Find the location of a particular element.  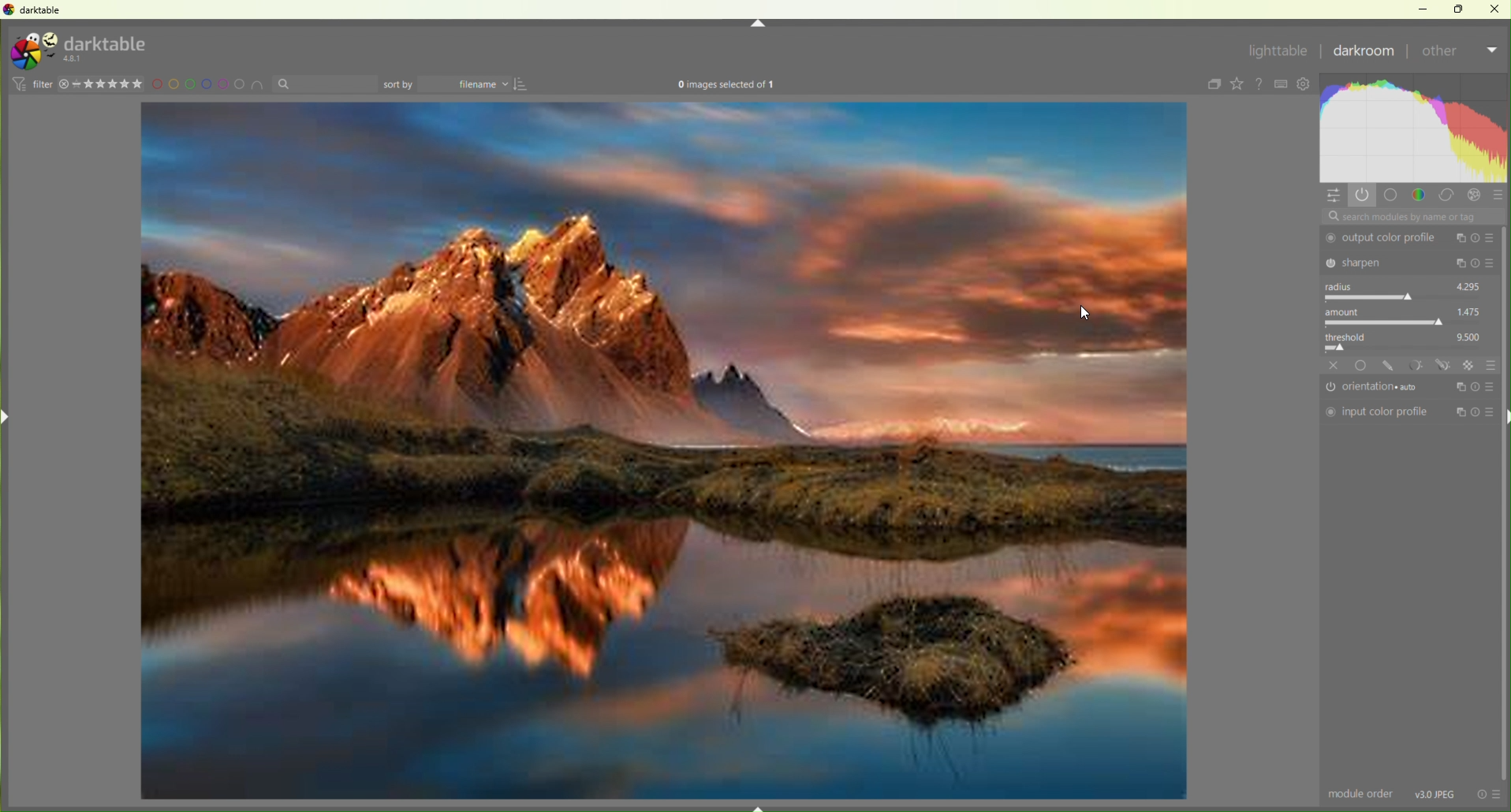

copy, reset and presets is located at coordinates (1476, 413).